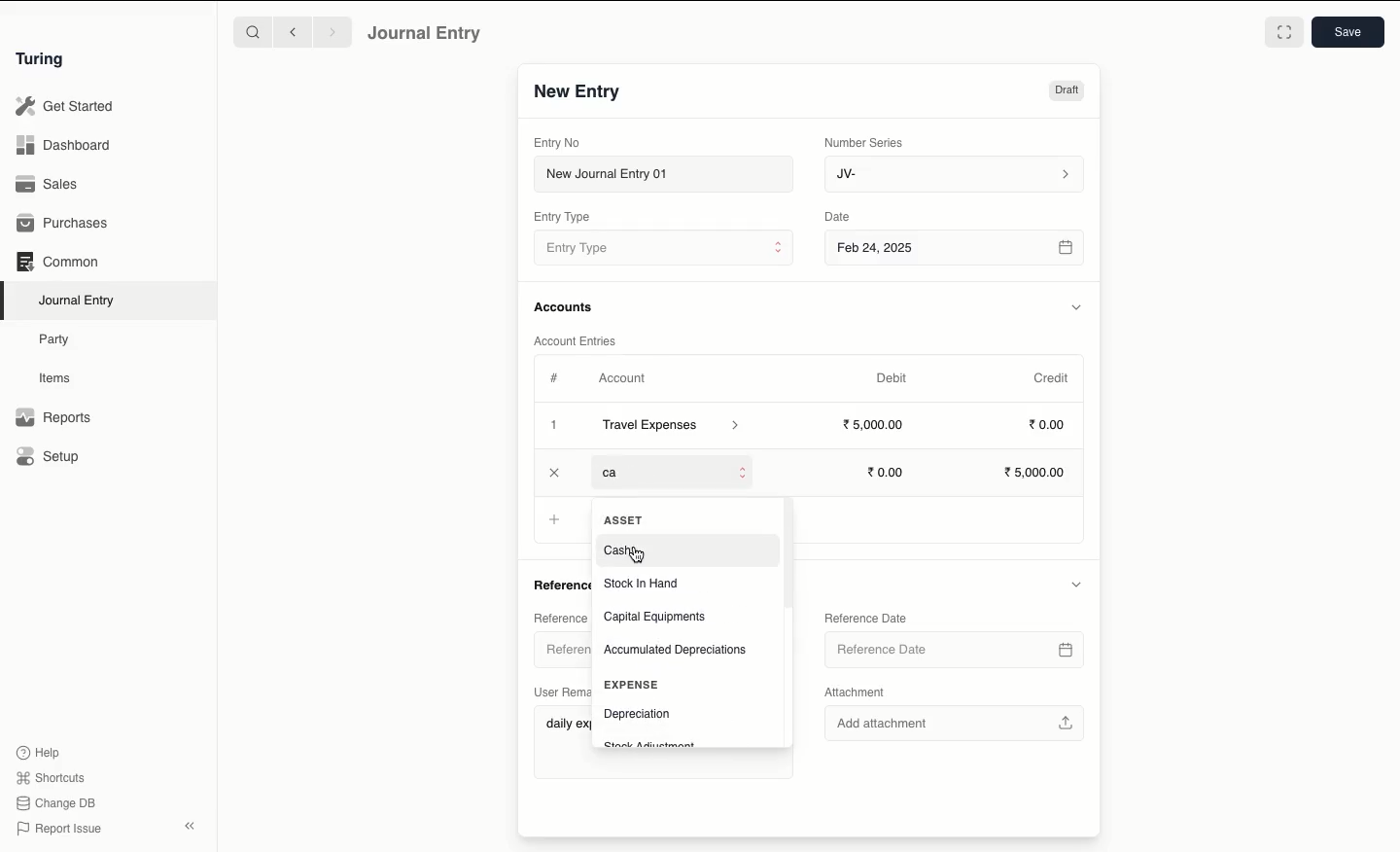 The image size is (1400, 852). Describe the element at coordinates (840, 216) in the screenshot. I see `Date` at that location.